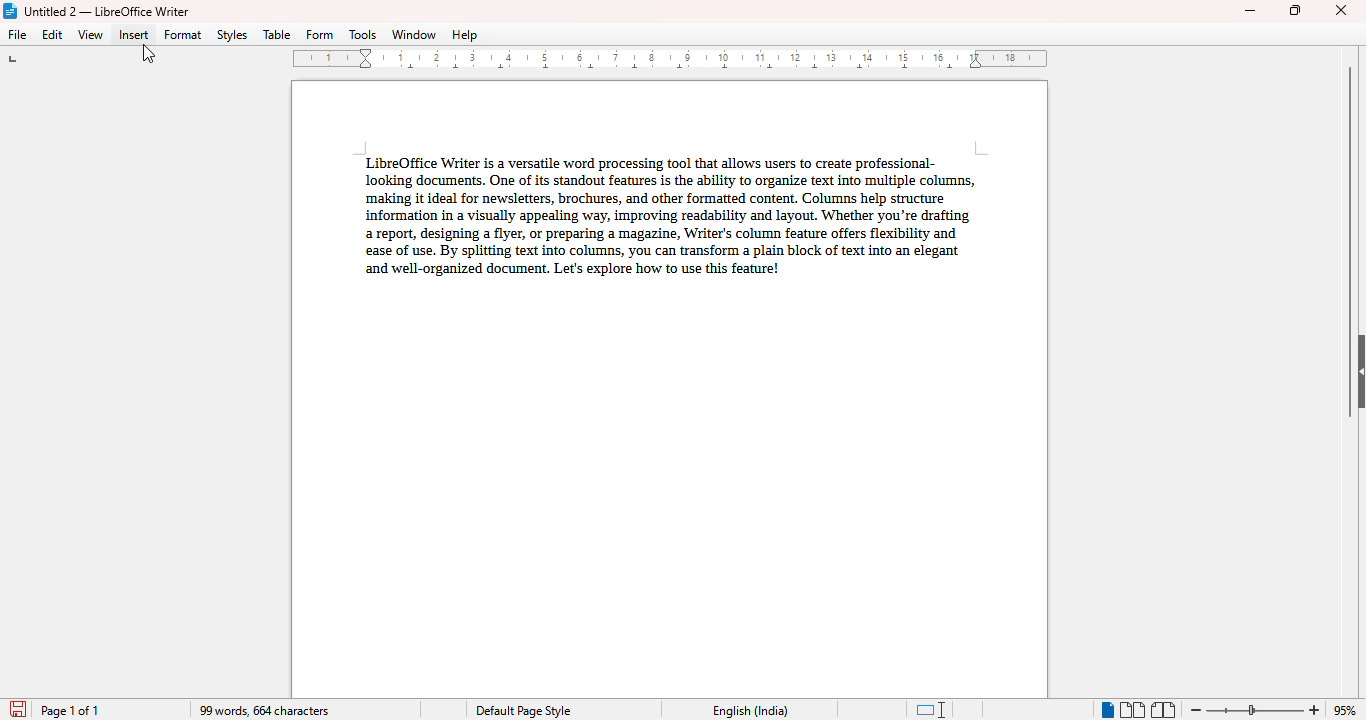  Describe the element at coordinates (54, 34) in the screenshot. I see `edit` at that location.